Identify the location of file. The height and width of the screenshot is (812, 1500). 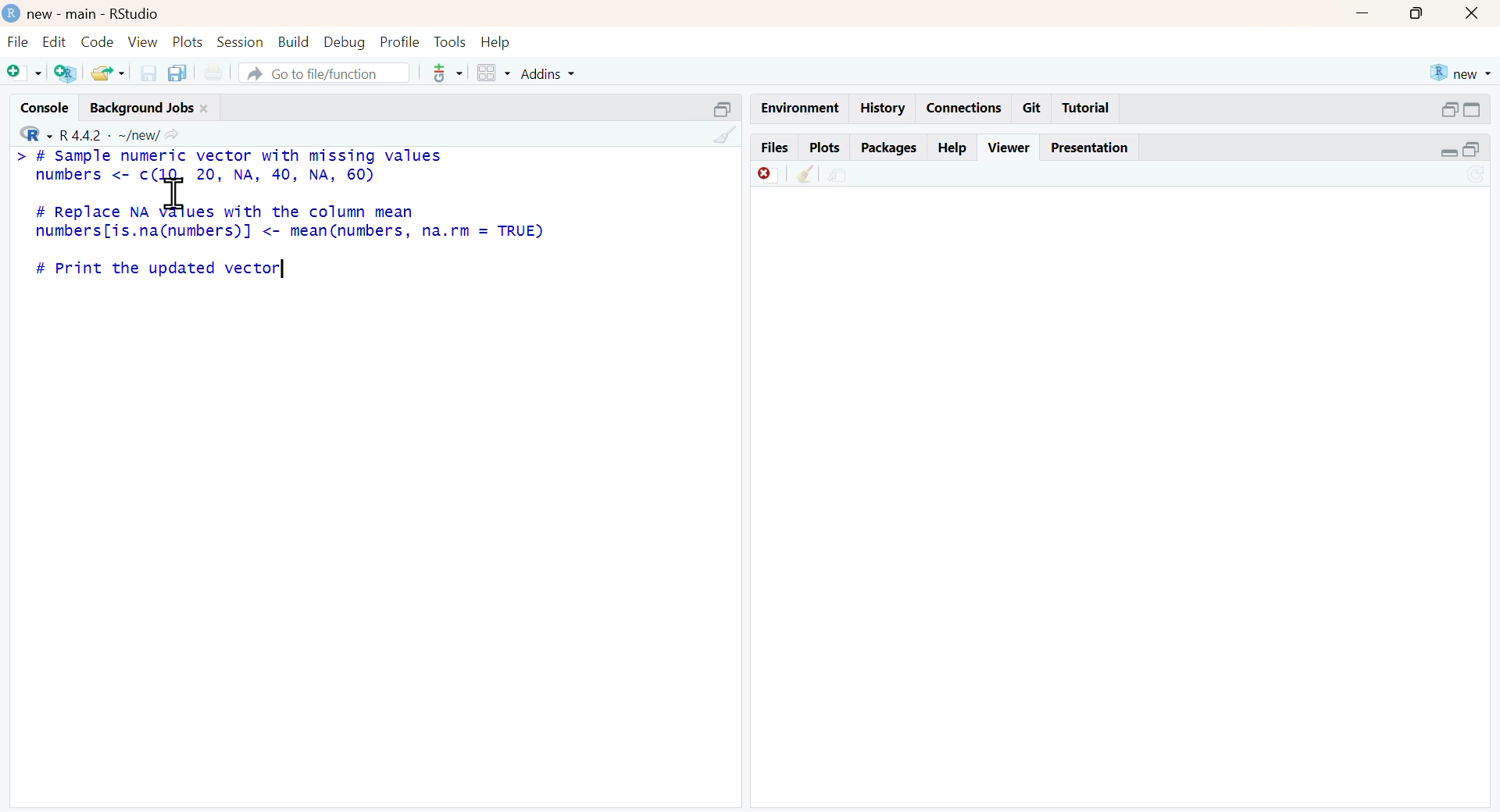
(18, 41).